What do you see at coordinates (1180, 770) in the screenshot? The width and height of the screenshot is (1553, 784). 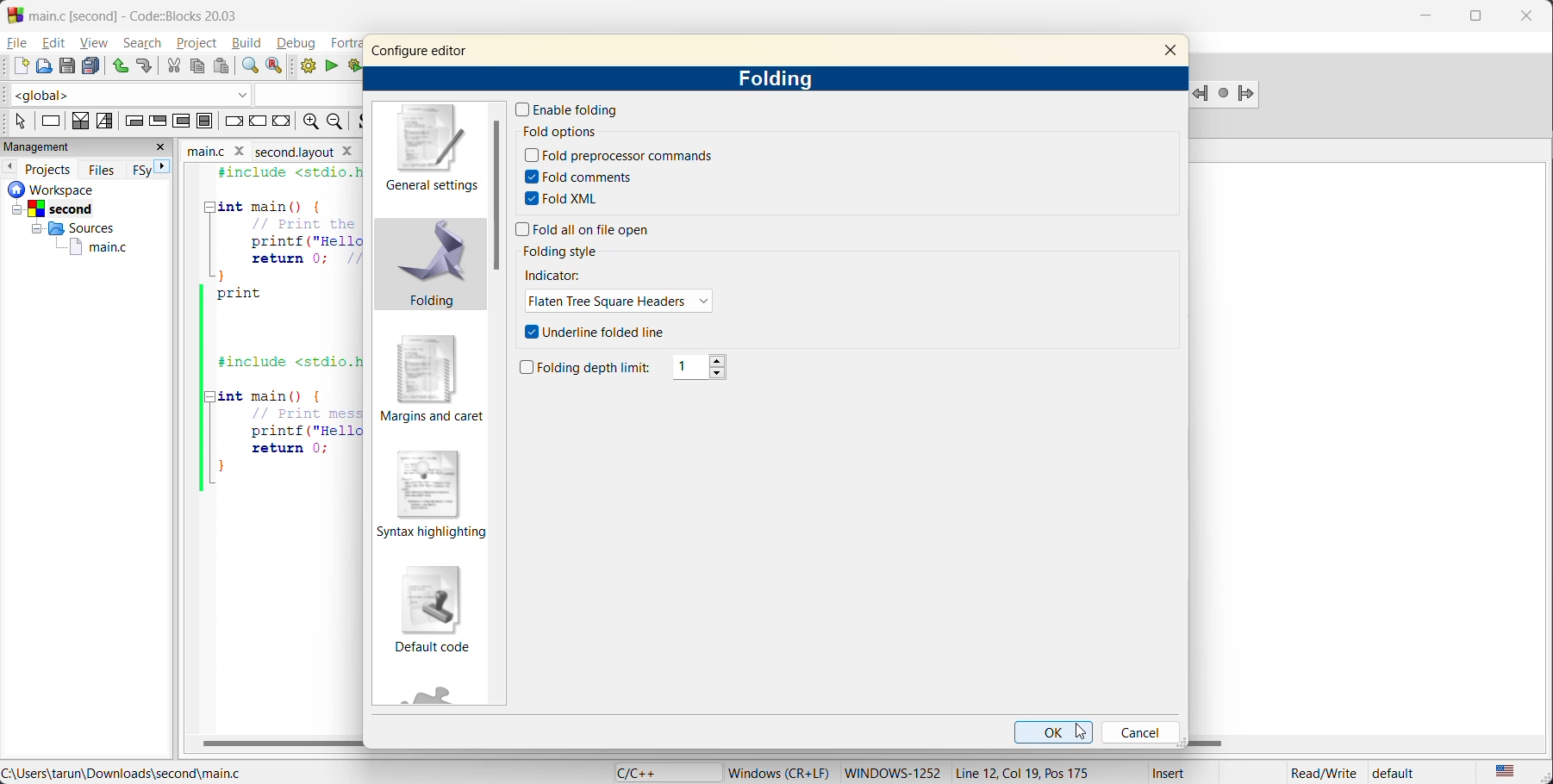 I see `Insert` at bounding box center [1180, 770].